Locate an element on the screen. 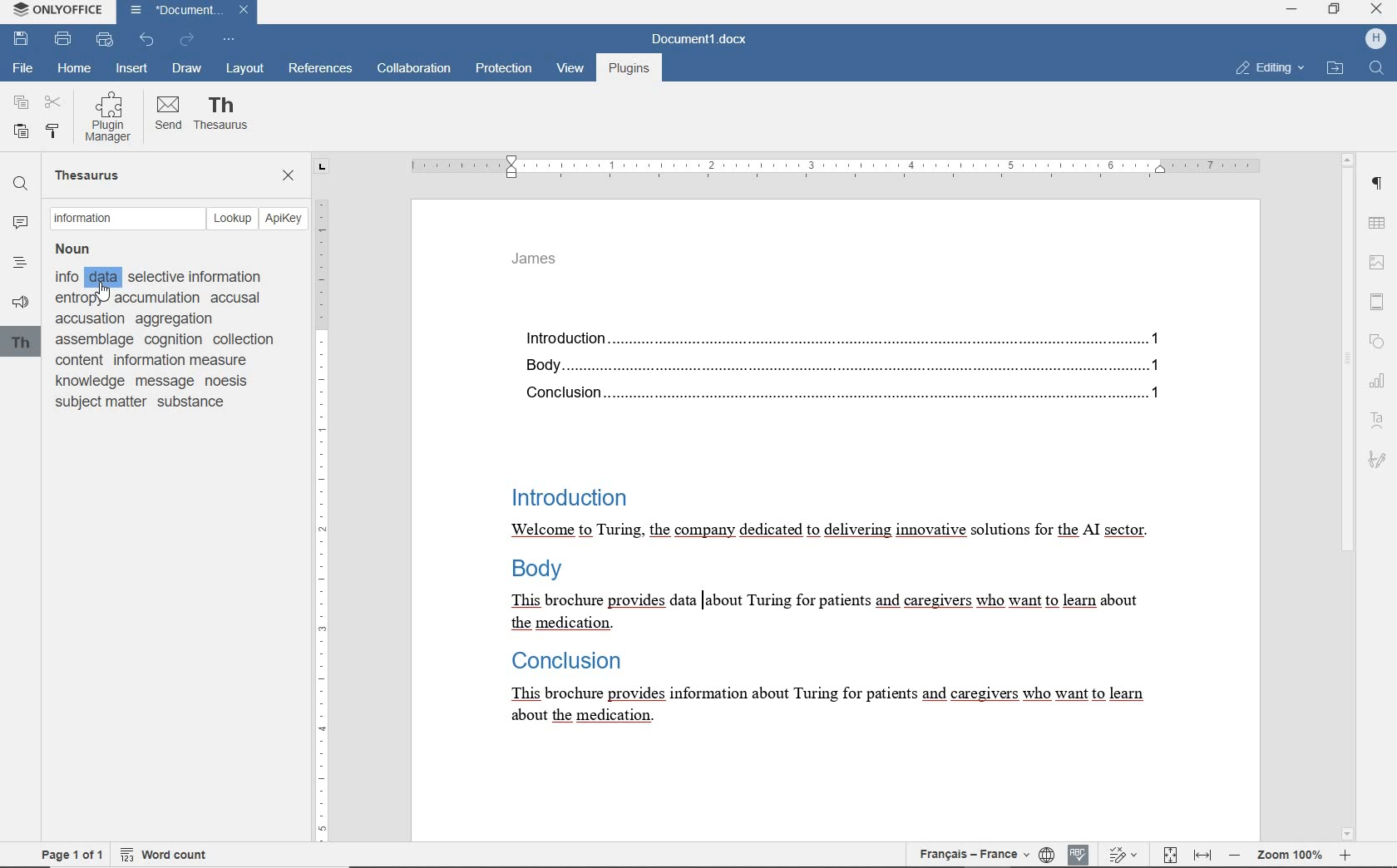 The image size is (1397, 868). REDO is located at coordinates (188, 41).